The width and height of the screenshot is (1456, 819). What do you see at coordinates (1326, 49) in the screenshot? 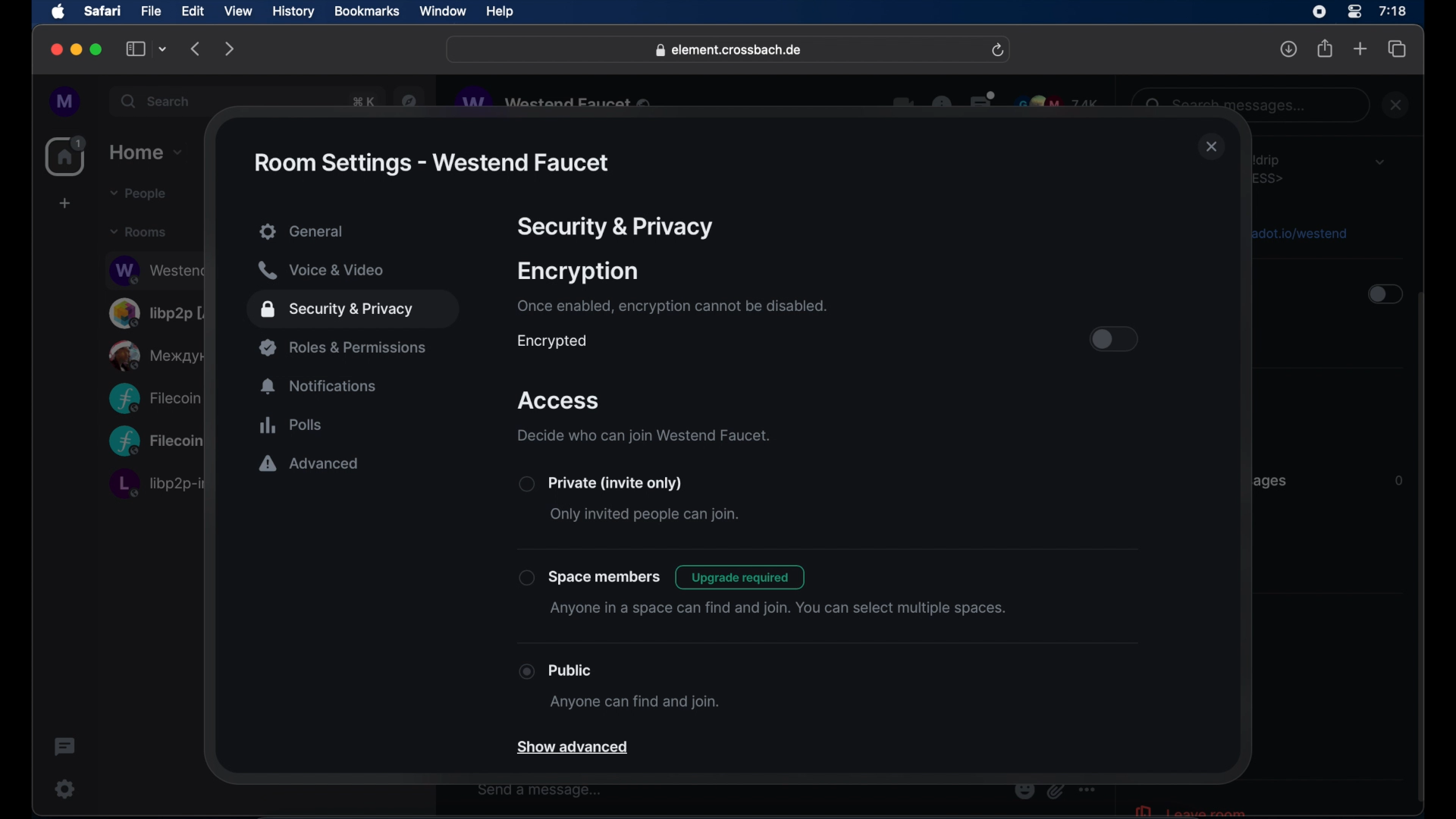
I see `share` at bounding box center [1326, 49].